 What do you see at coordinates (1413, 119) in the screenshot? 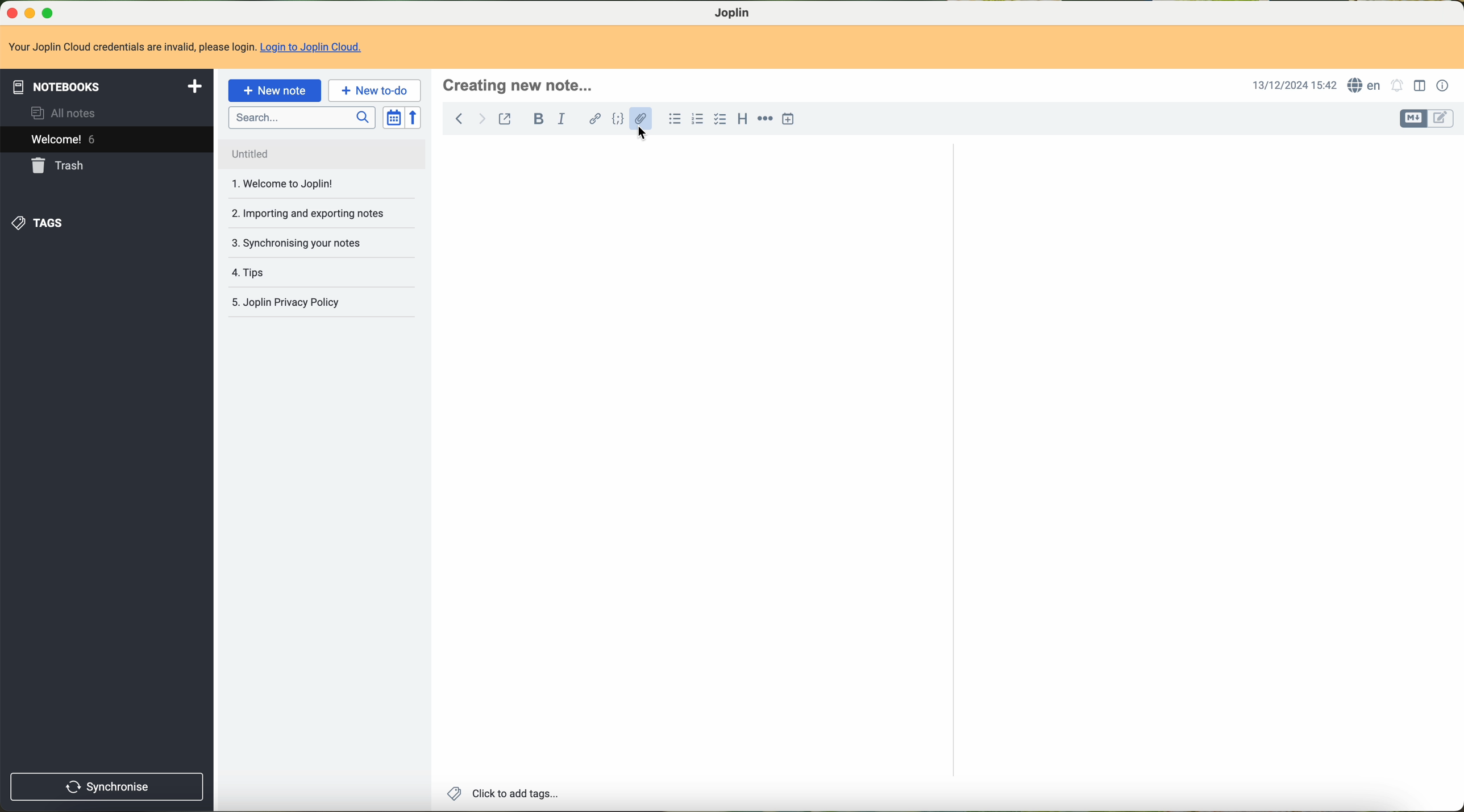
I see `toggle editors` at bounding box center [1413, 119].